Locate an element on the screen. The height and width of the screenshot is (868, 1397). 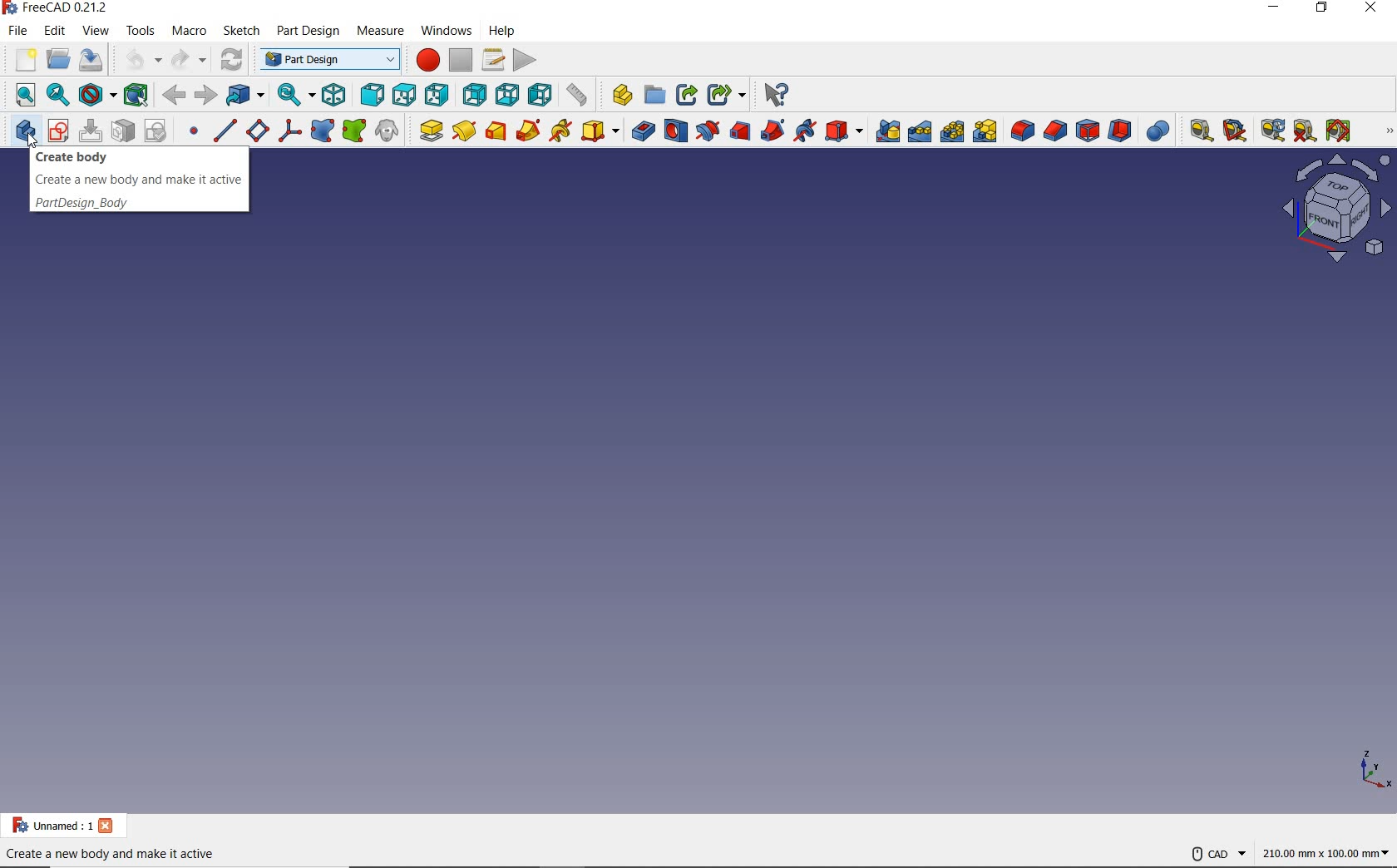
POLLARPATTERN is located at coordinates (952, 130).